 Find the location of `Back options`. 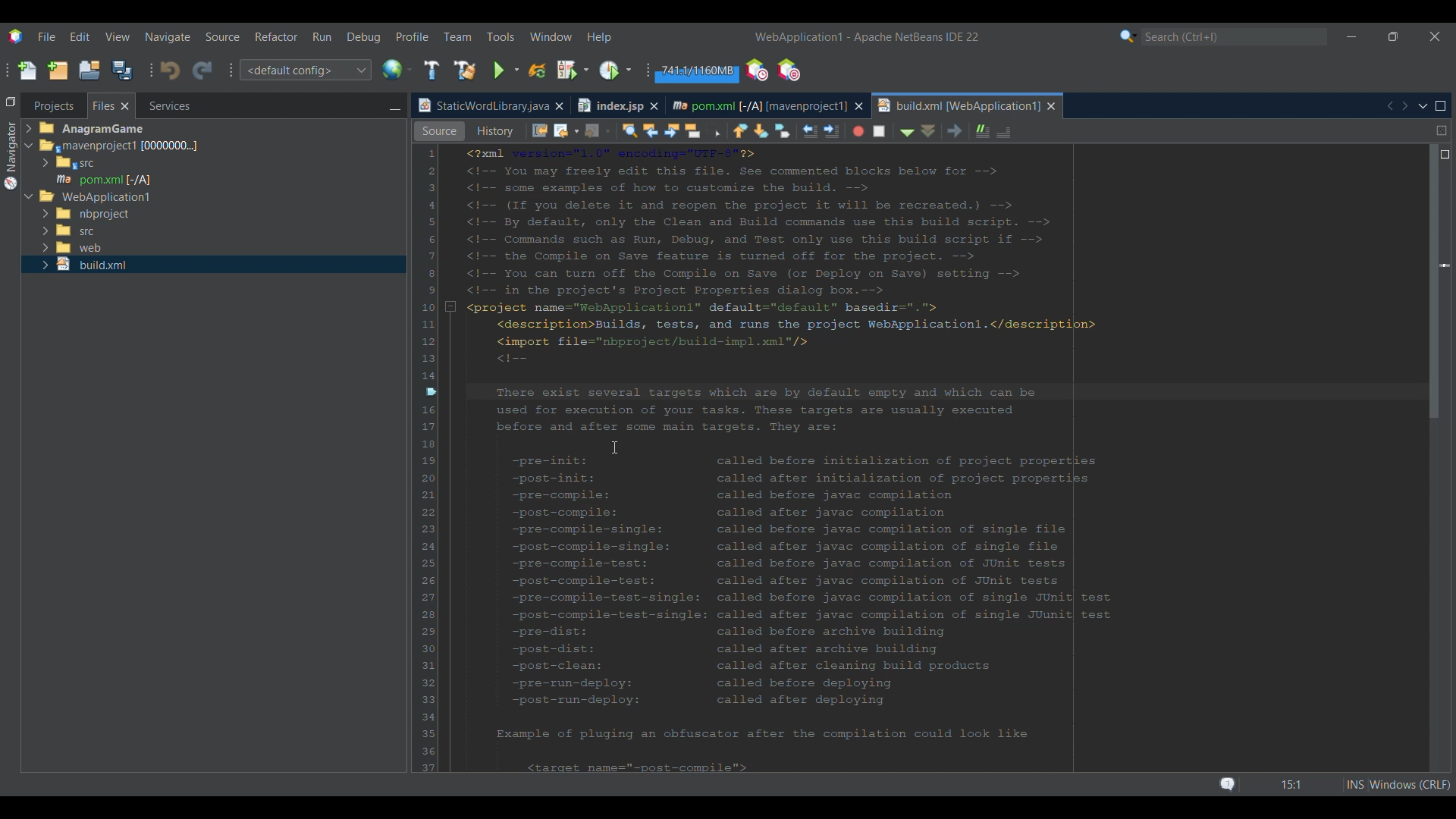

Back options is located at coordinates (699, 130).